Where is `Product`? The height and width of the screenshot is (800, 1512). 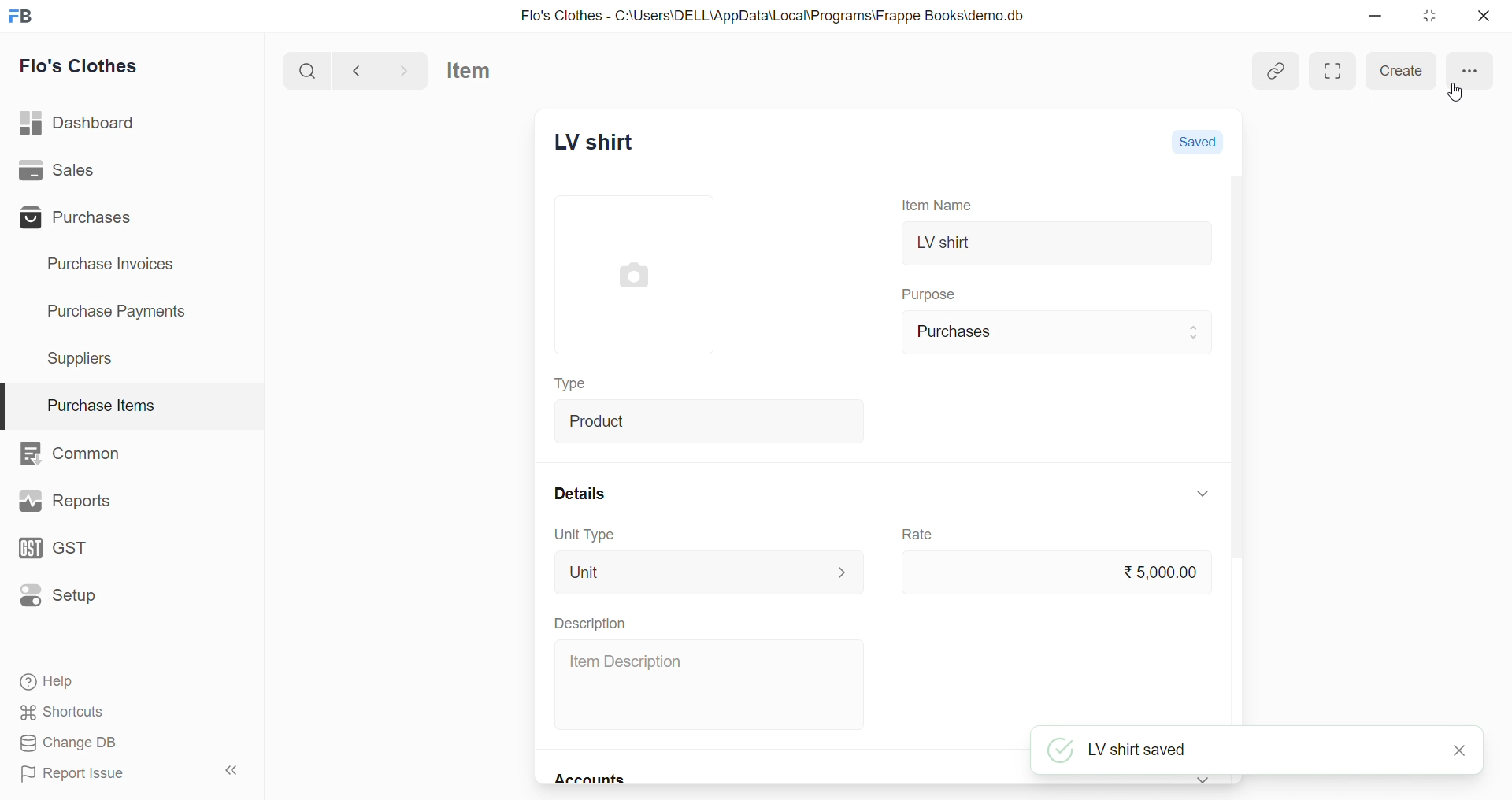
Product is located at coordinates (713, 420).